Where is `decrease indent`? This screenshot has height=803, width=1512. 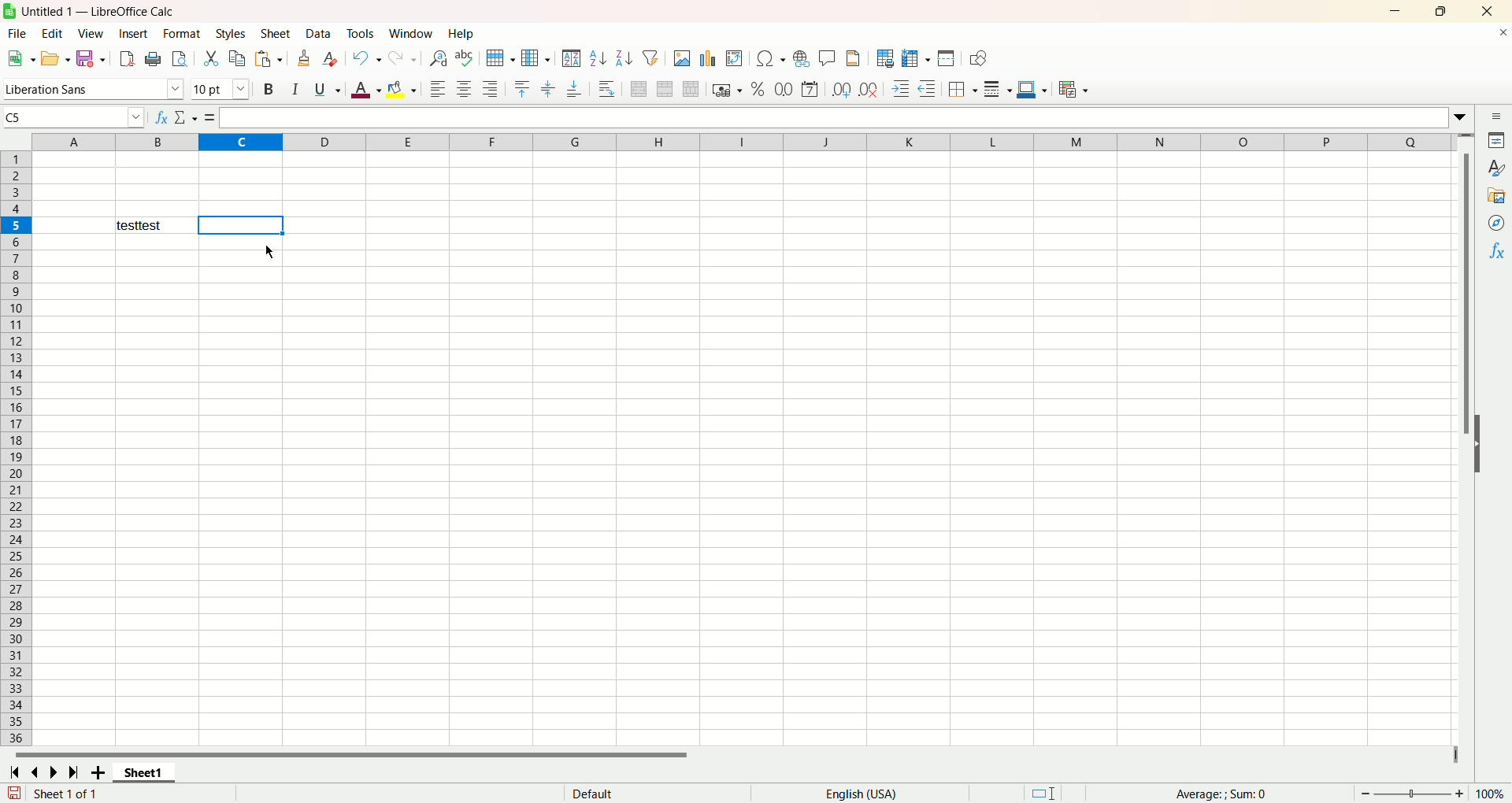 decrease indent is located at coordinates (929, 89).